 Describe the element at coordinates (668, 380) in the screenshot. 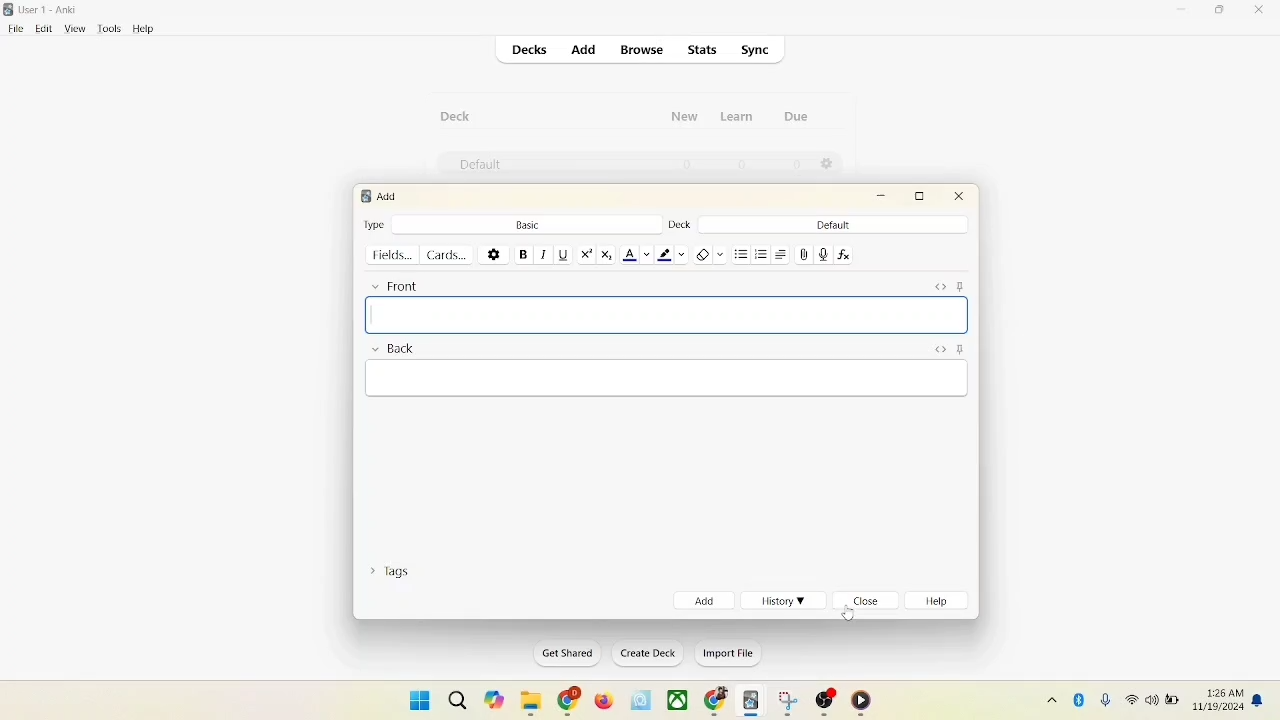

I see `rainbowcolors` at that location.